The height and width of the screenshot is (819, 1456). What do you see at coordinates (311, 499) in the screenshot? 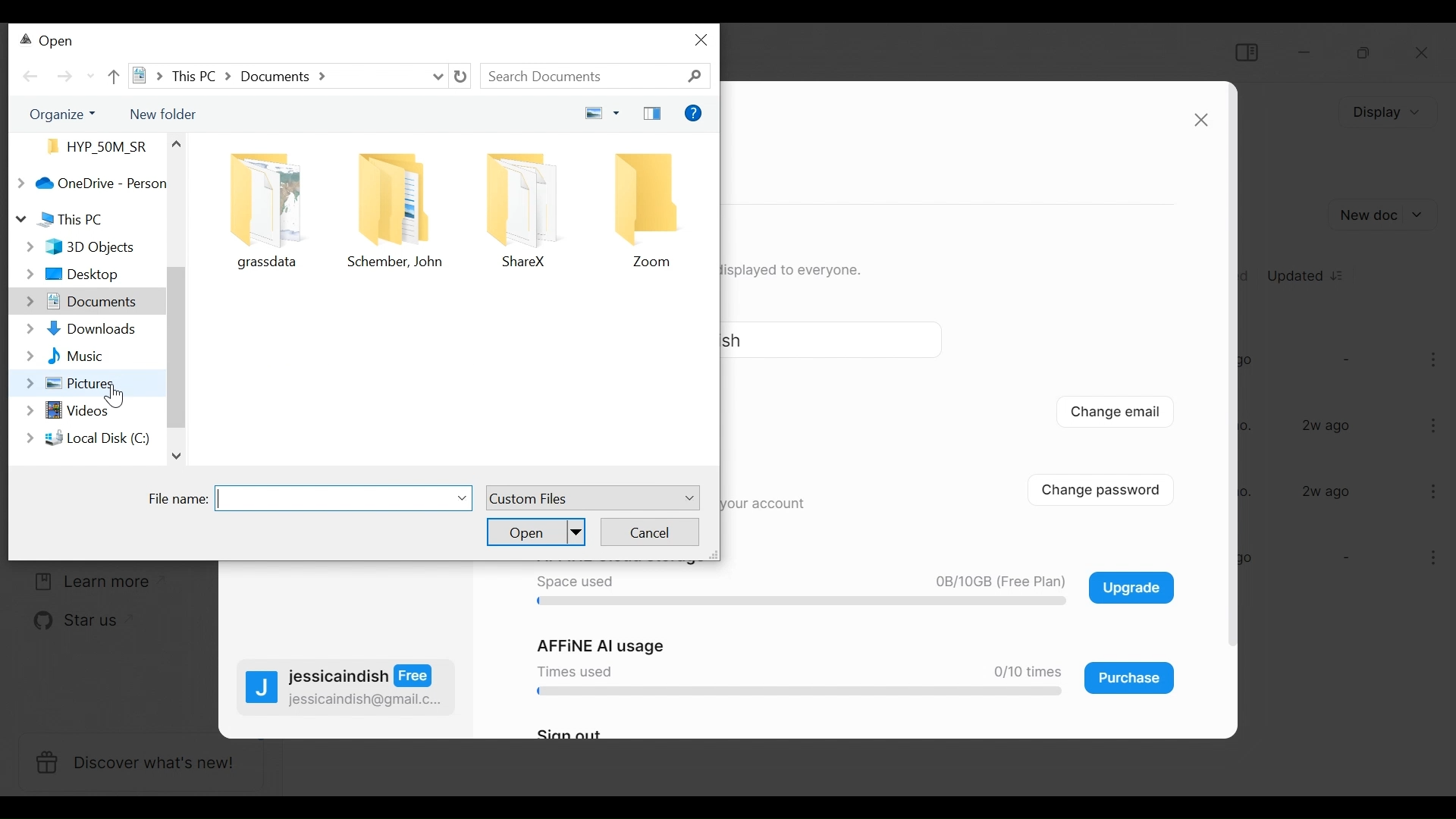
I see `File Name` at bounding box center [311, 499].